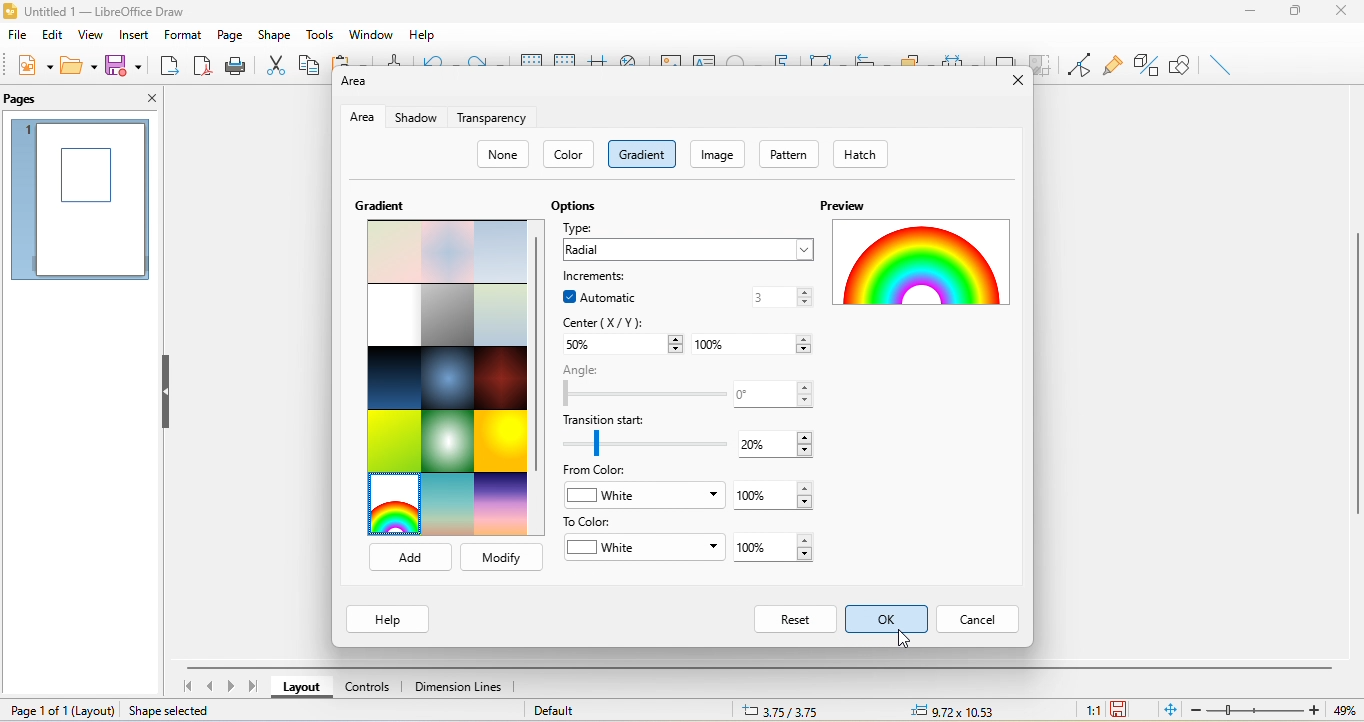  What do you see at coordinates (358, 85) in the screenshot?
I see `area` at bounding box center [358, 85].